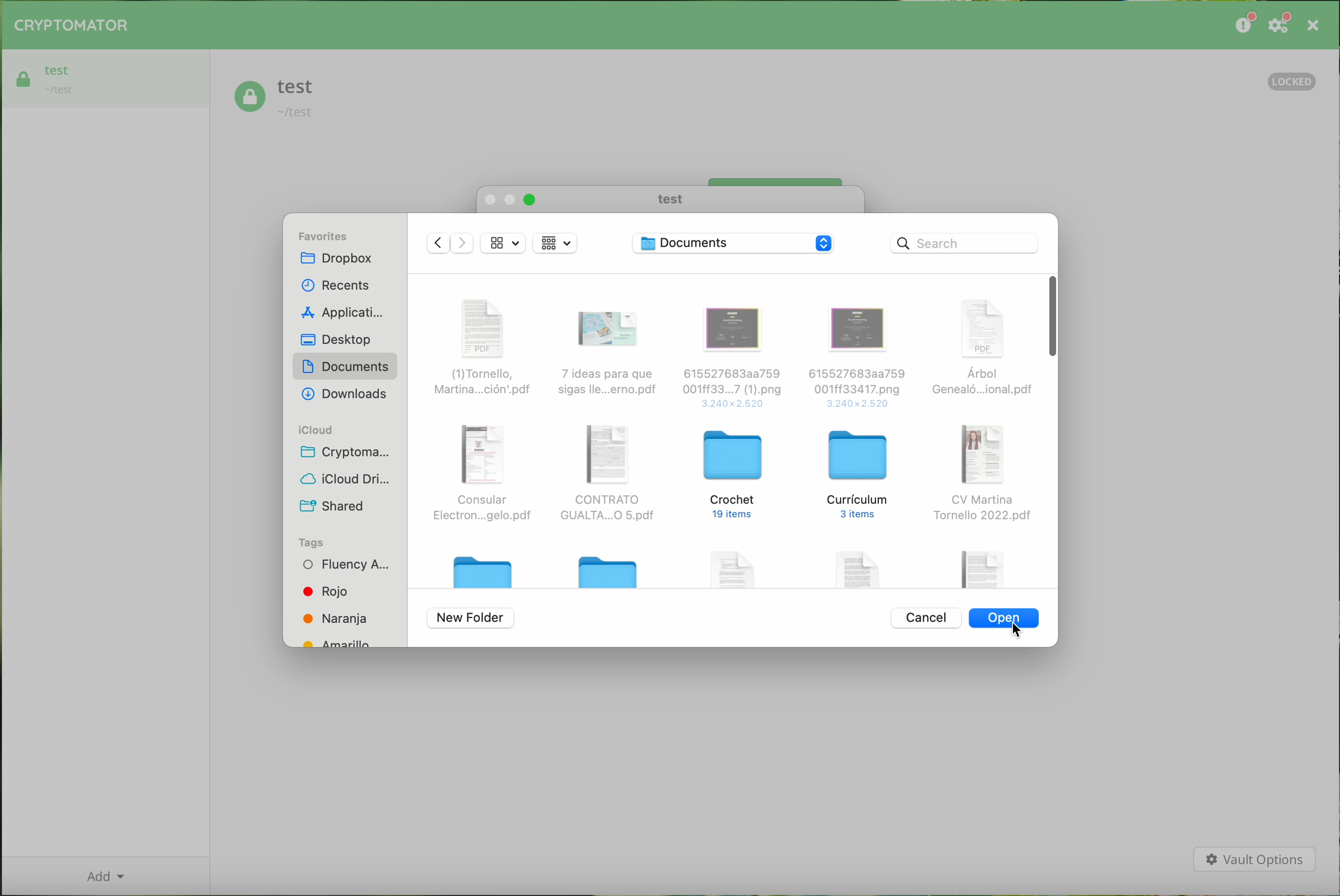 Image resolution: width=1340 pixels, height=896 pixels. What do you see at coordinates (1019, 633) in the screenshot?
I see `cursor` at bounding box center [1019, 633].